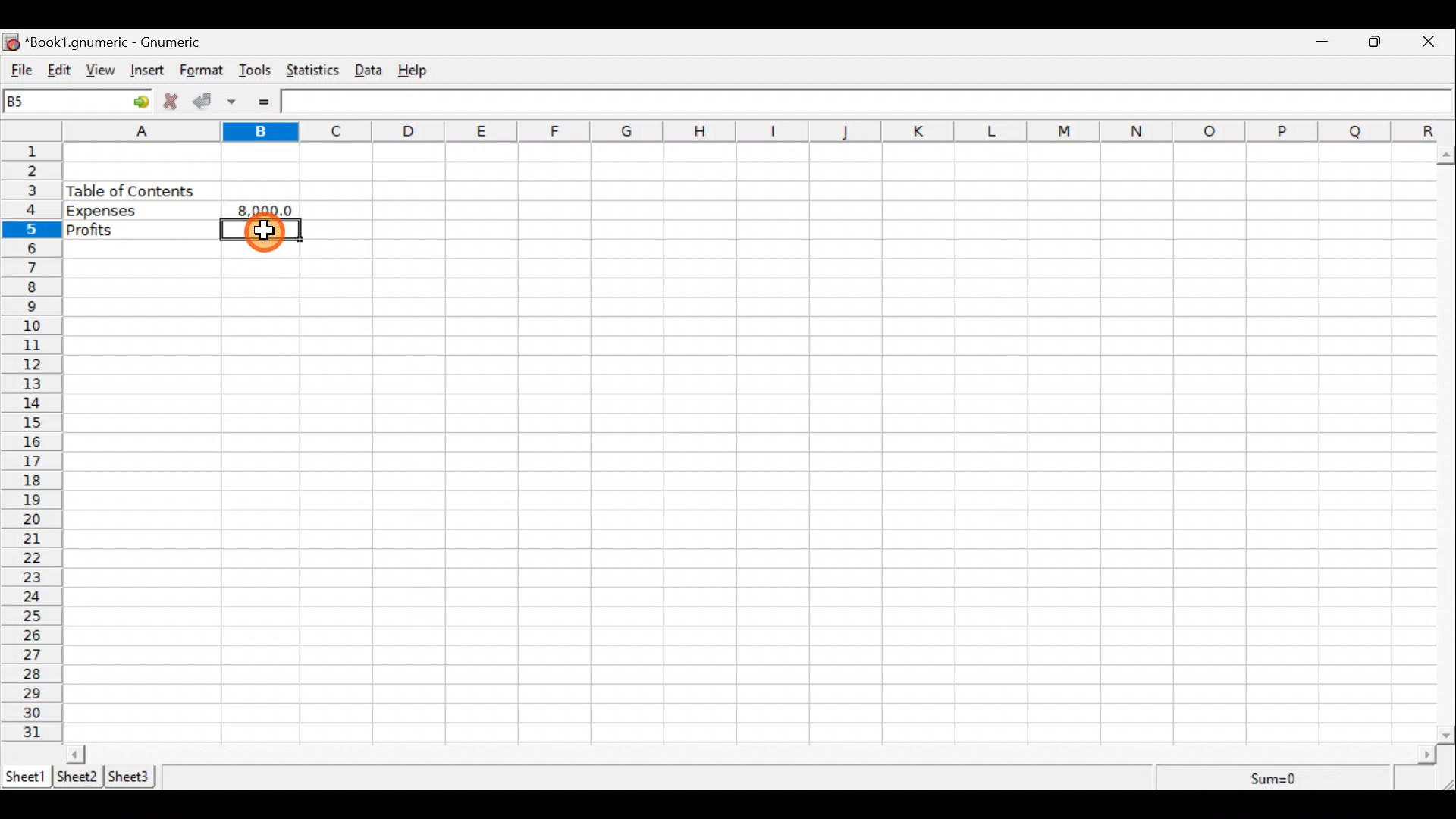 This screenshot has width=1456, height=819. What do you see at coordinates (150, 71) in the screenshot?
I see `Insert` at bounding box center [150, 71].